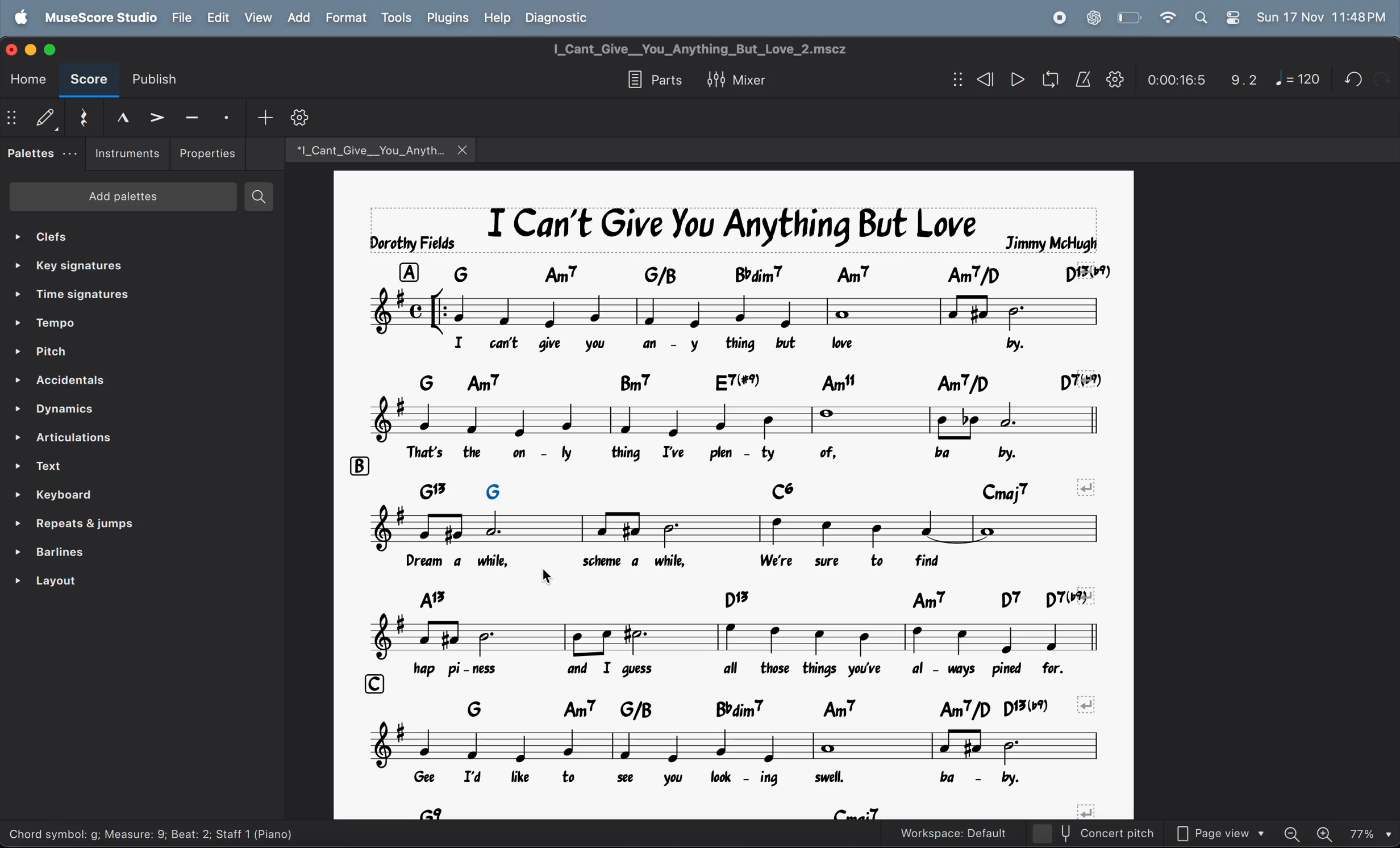  I want to click on tenuto, so click(195, 116).